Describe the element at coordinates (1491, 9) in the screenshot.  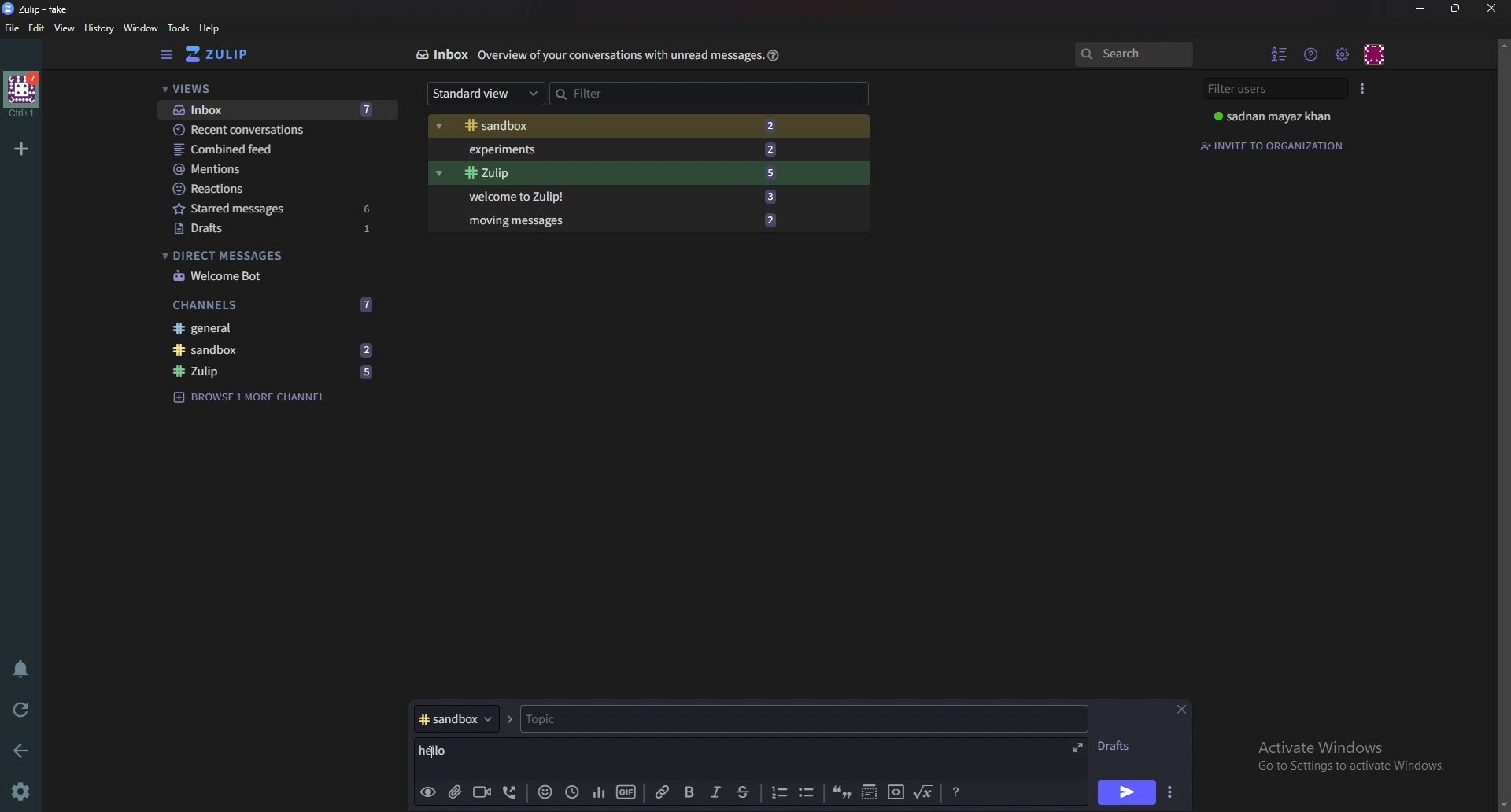
I see `close` at that location.